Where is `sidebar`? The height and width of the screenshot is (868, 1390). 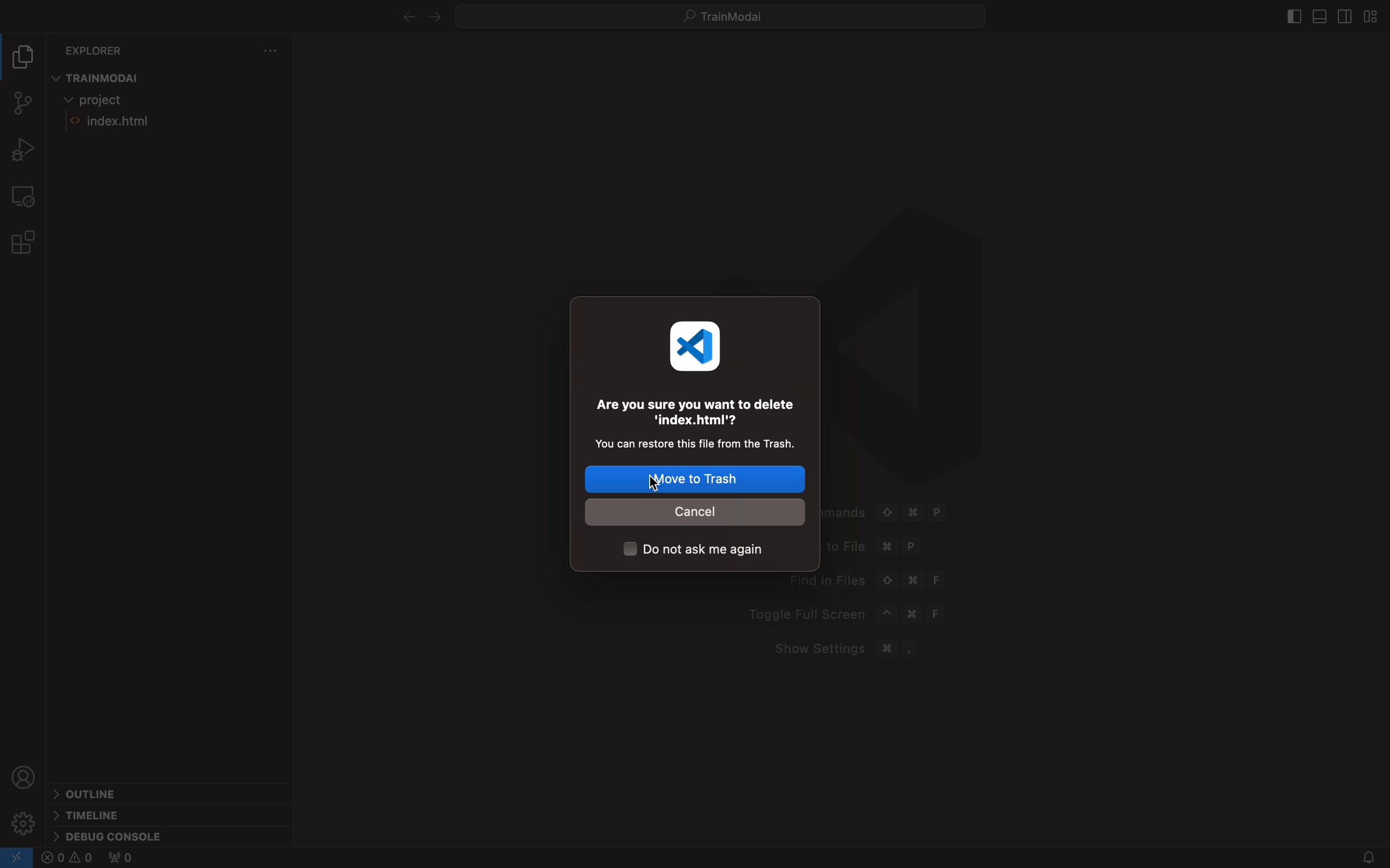 sidebar is located at coordinates (1292, 16).